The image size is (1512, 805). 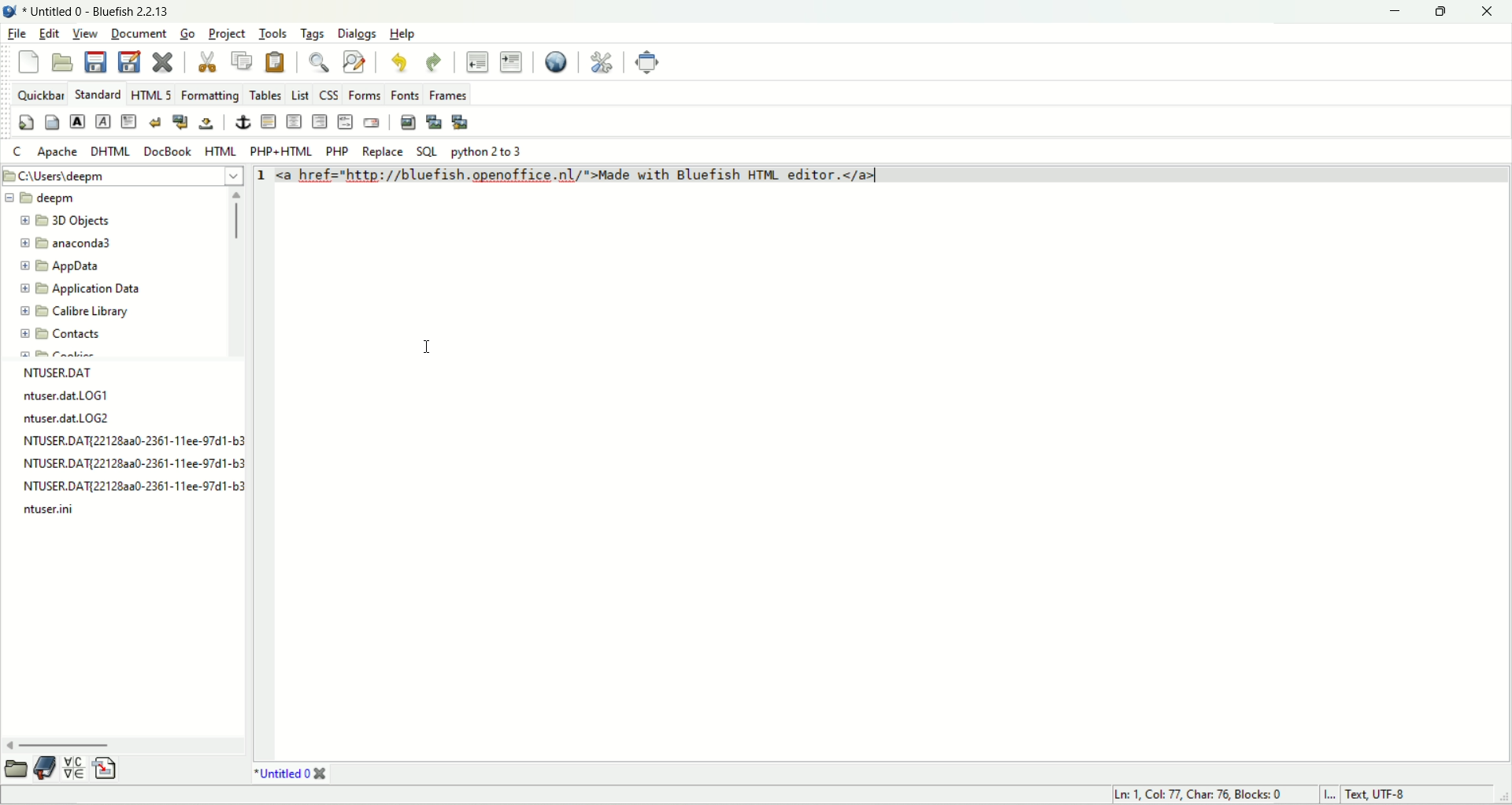 What do you see at coordinates (323, 61) in the screenshot?
I see `show find bar` at bounding box center [323, 61].